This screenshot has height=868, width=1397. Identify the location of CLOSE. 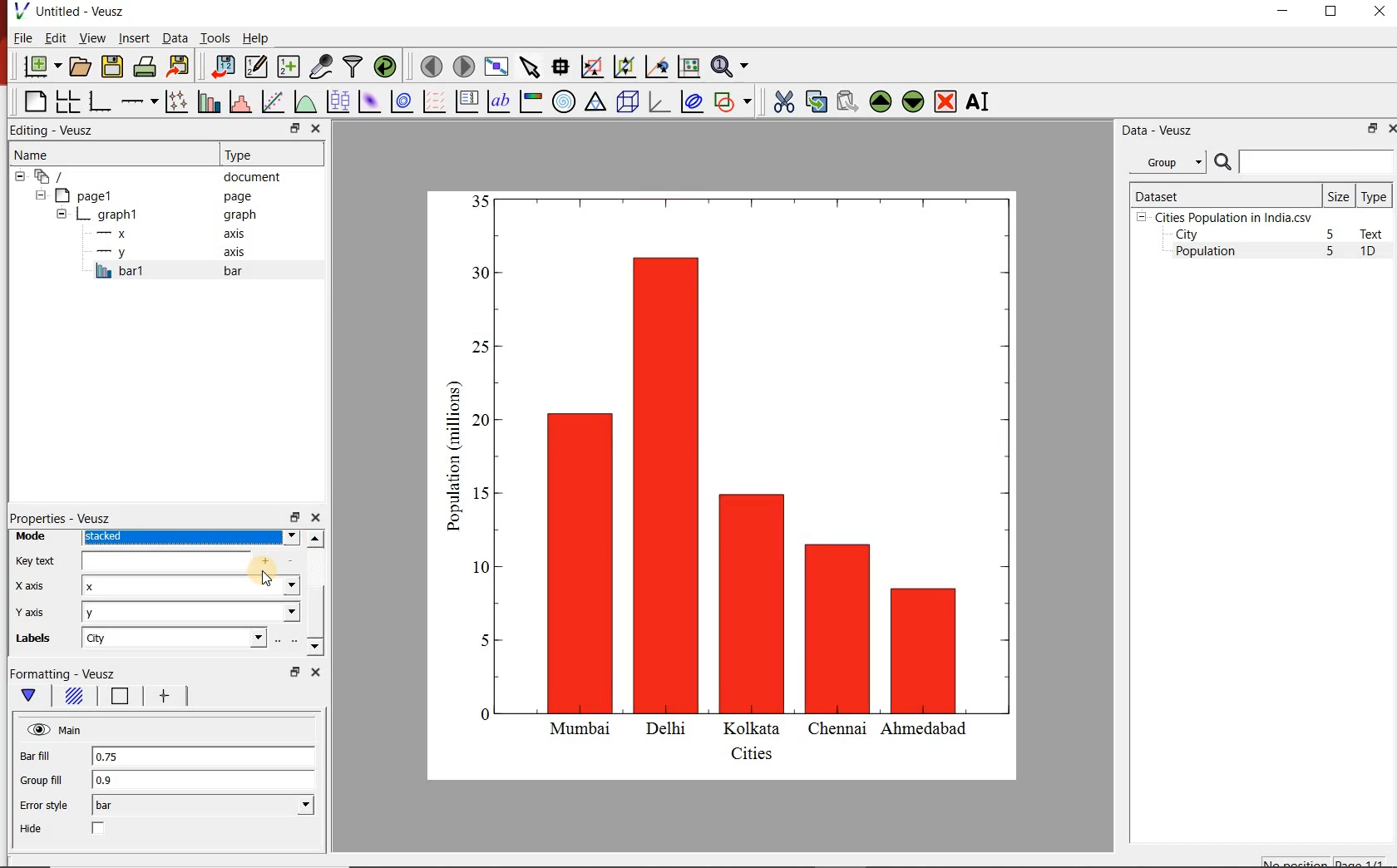
(1378, 13).